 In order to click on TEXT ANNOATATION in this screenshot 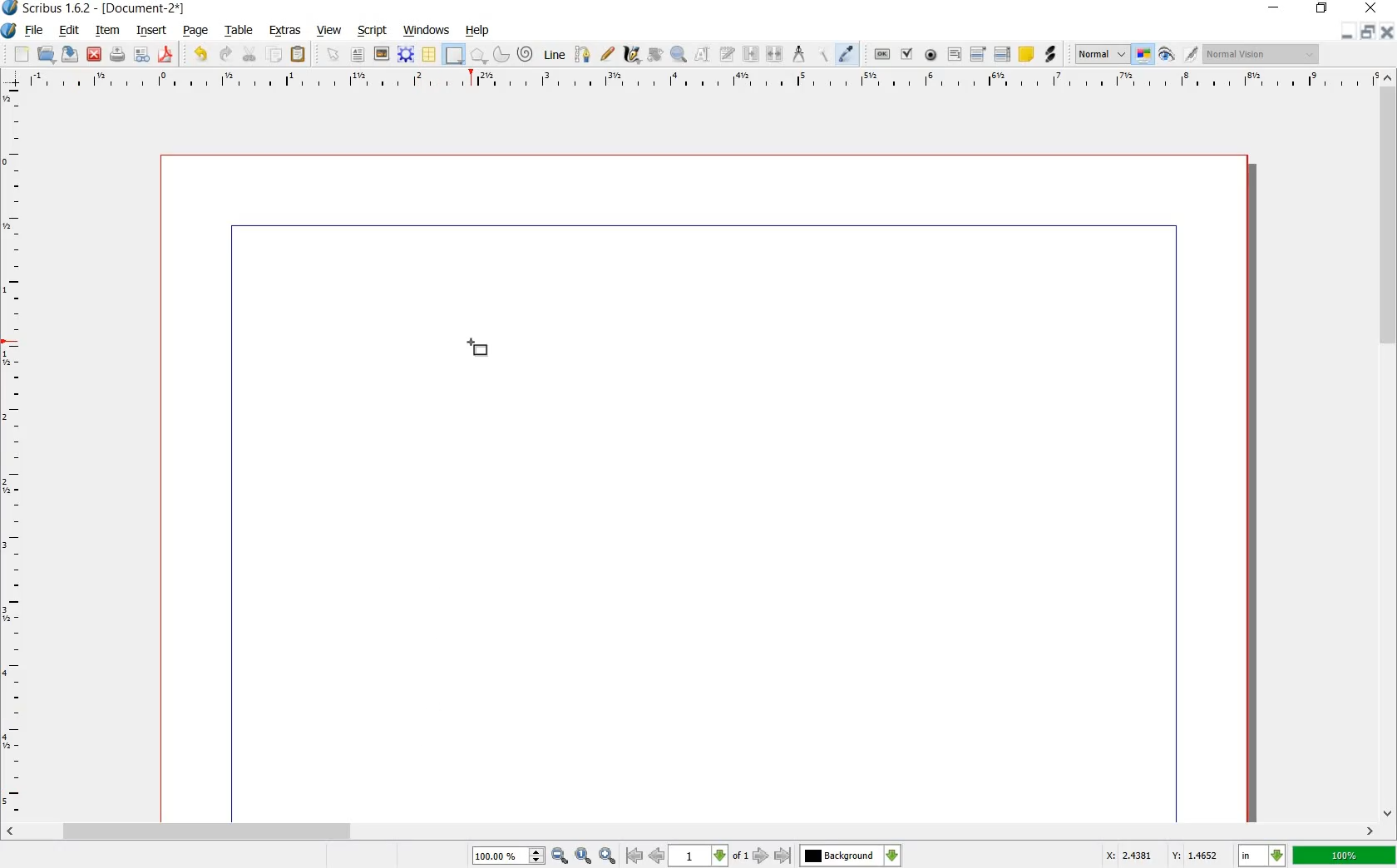, I will do `click(1025, 55)`.